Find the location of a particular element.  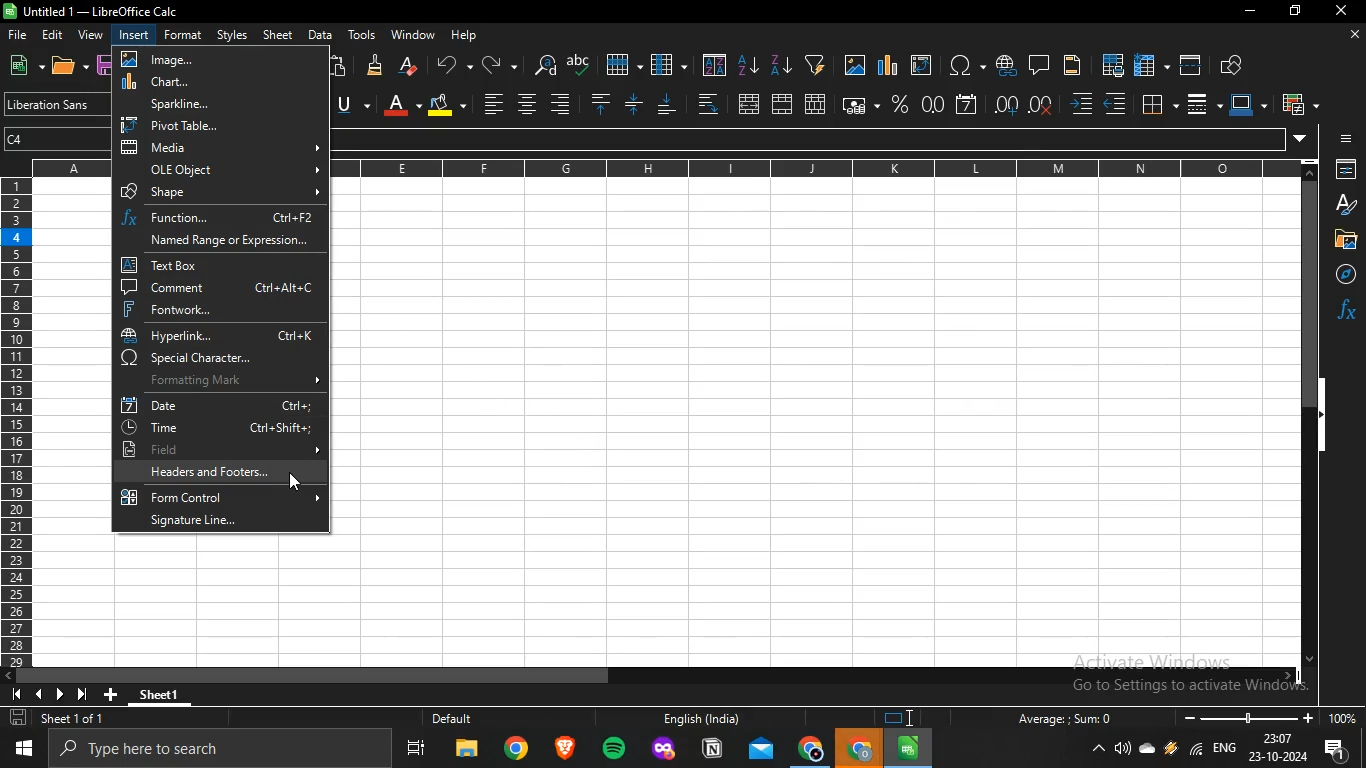

sort descending is located at coordinates (780, 64).